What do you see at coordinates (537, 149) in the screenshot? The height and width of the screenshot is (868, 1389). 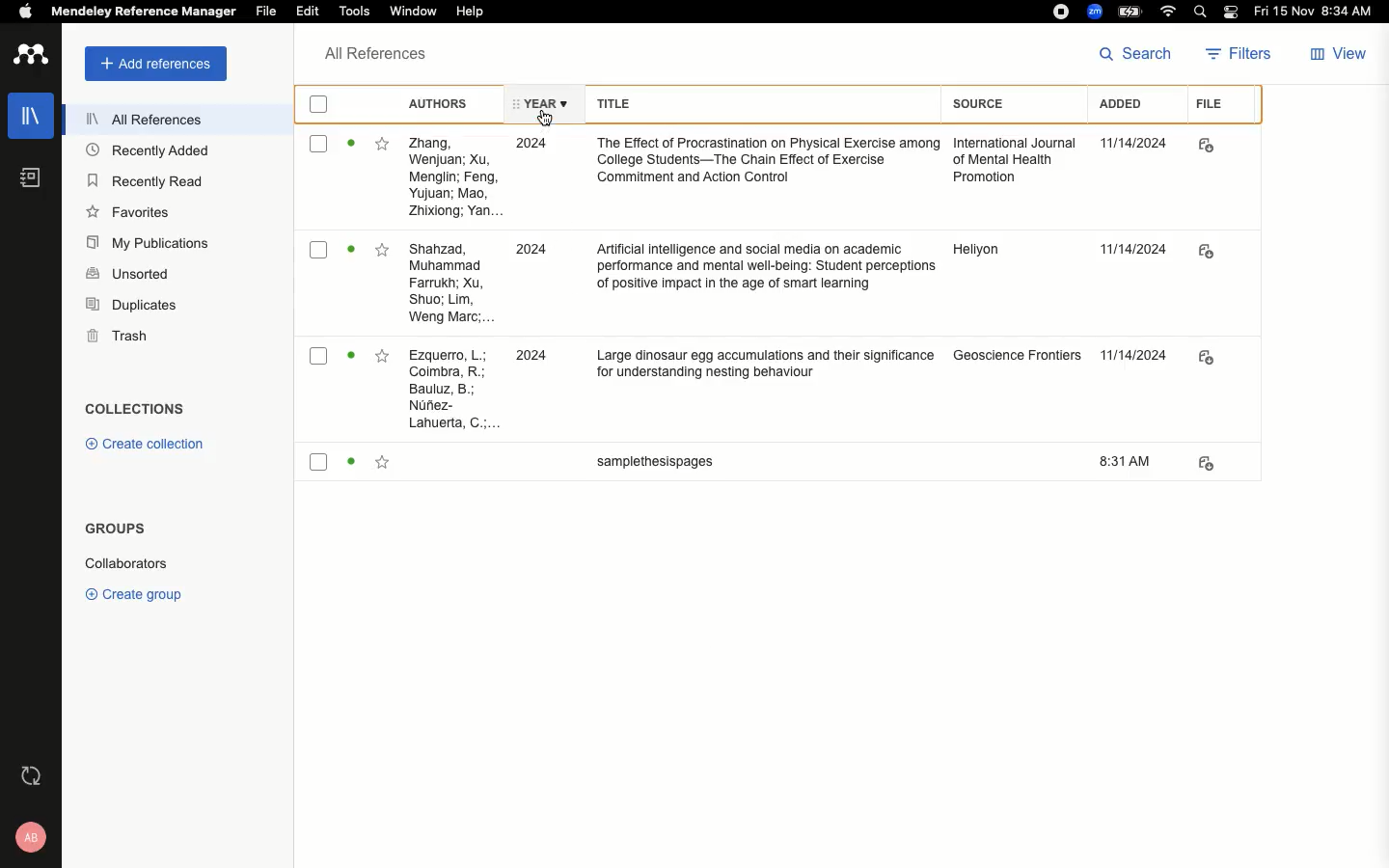 I see `year of publication` at bounding box center [537, 149].